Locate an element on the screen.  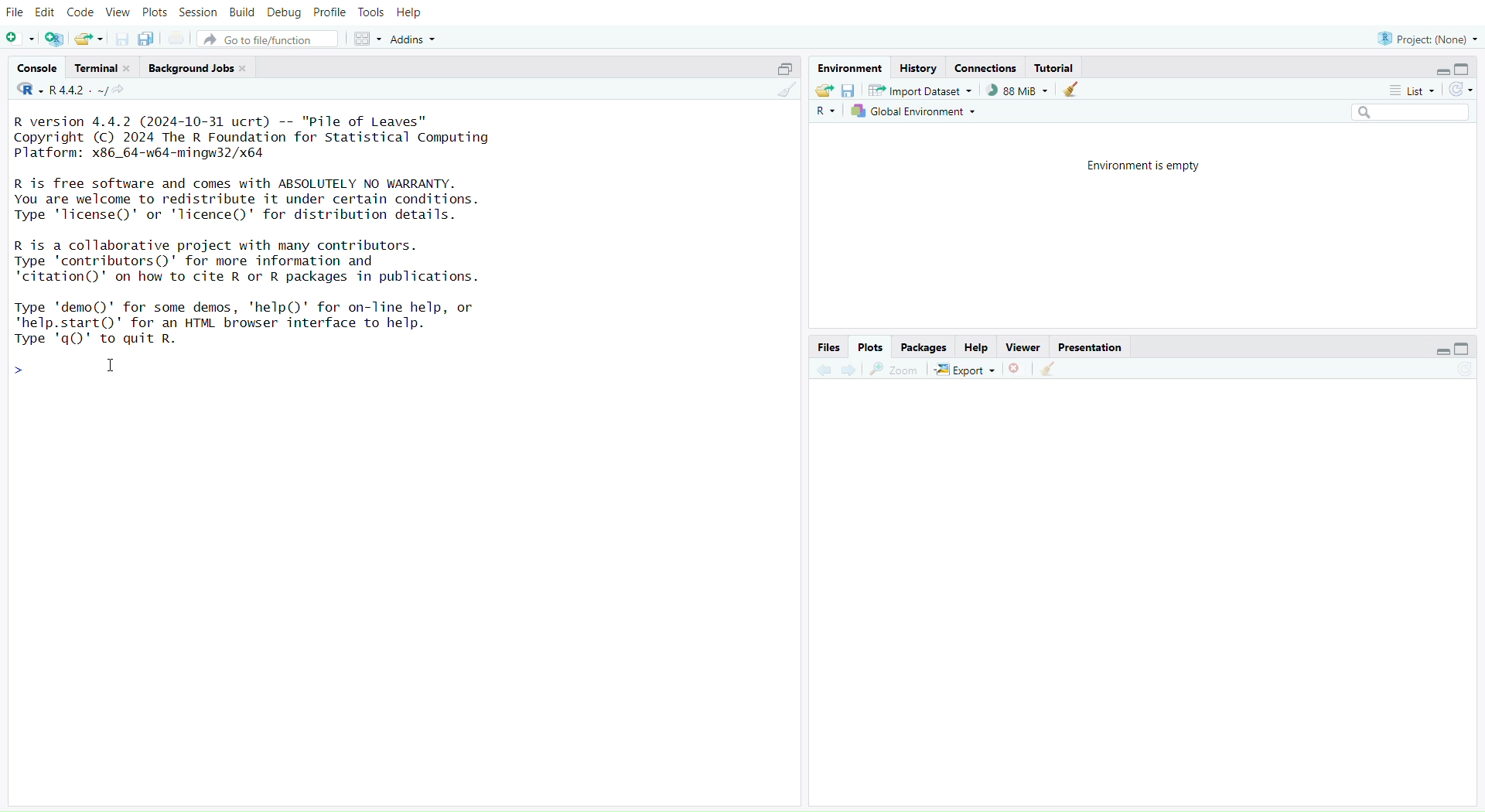
list is located at coordinates (1412, 91).